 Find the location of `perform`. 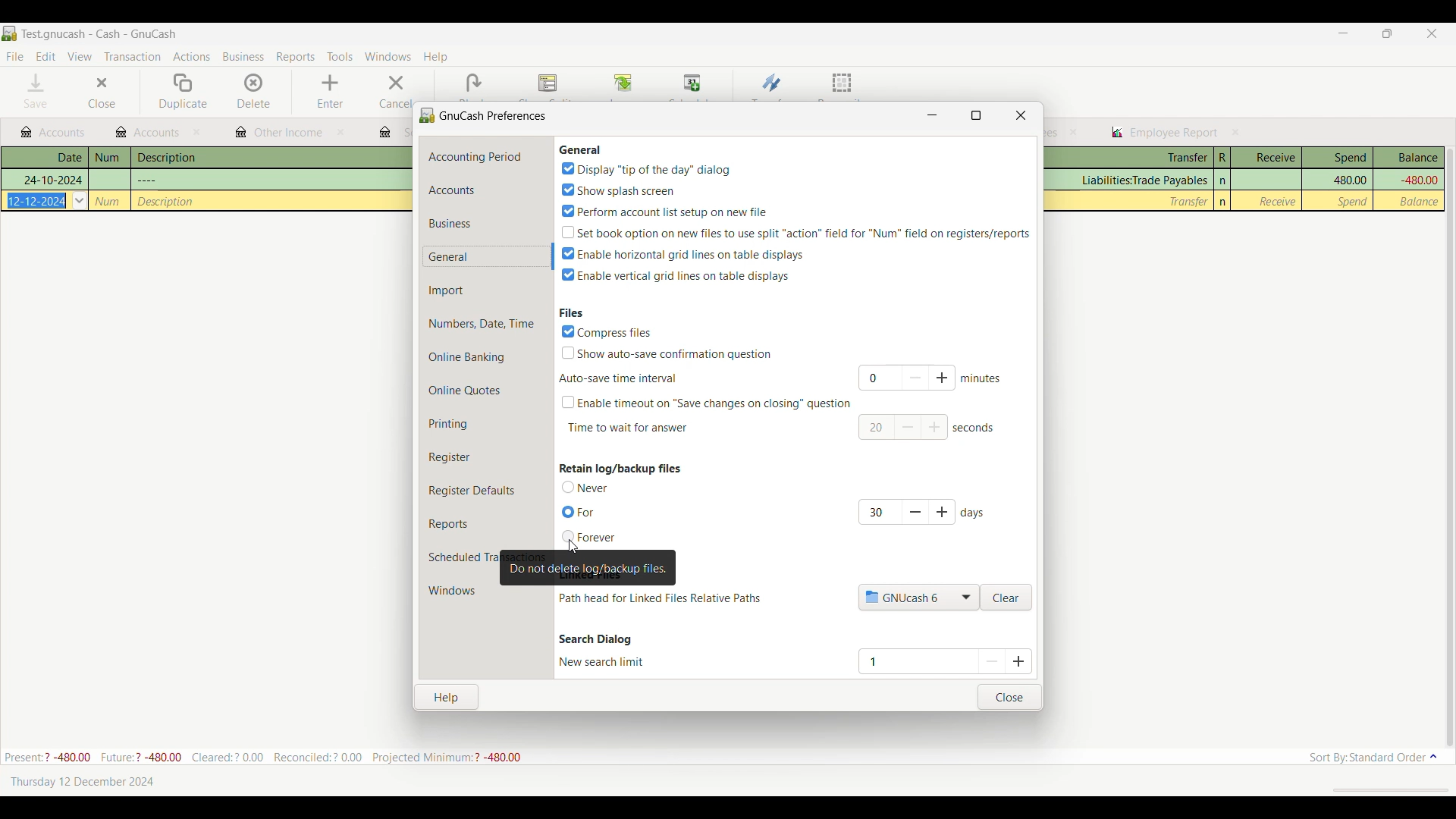

perform is located at coordinates (664, 209).